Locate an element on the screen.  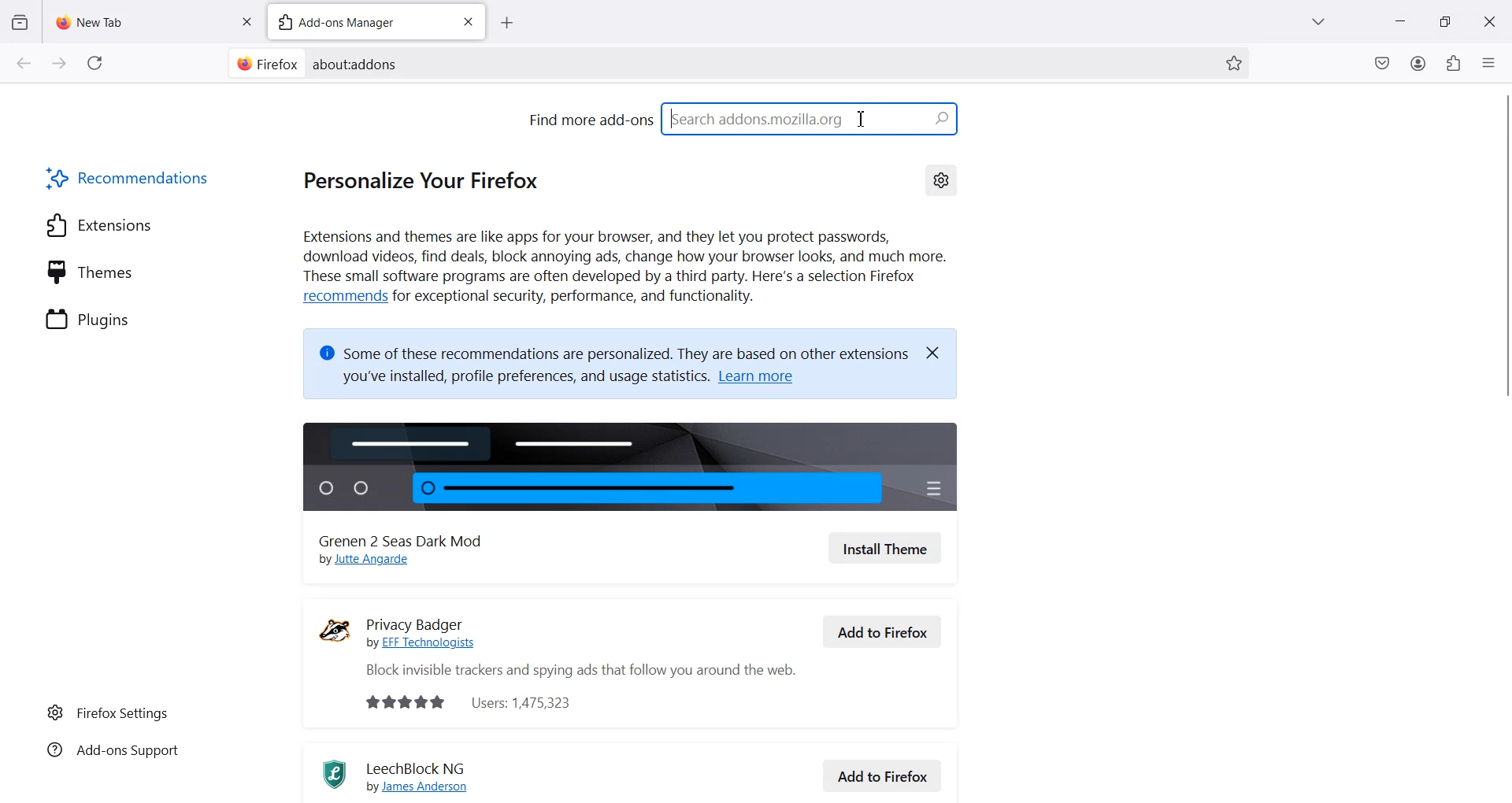
Go forward to one page is located at coordinates (58, 62).